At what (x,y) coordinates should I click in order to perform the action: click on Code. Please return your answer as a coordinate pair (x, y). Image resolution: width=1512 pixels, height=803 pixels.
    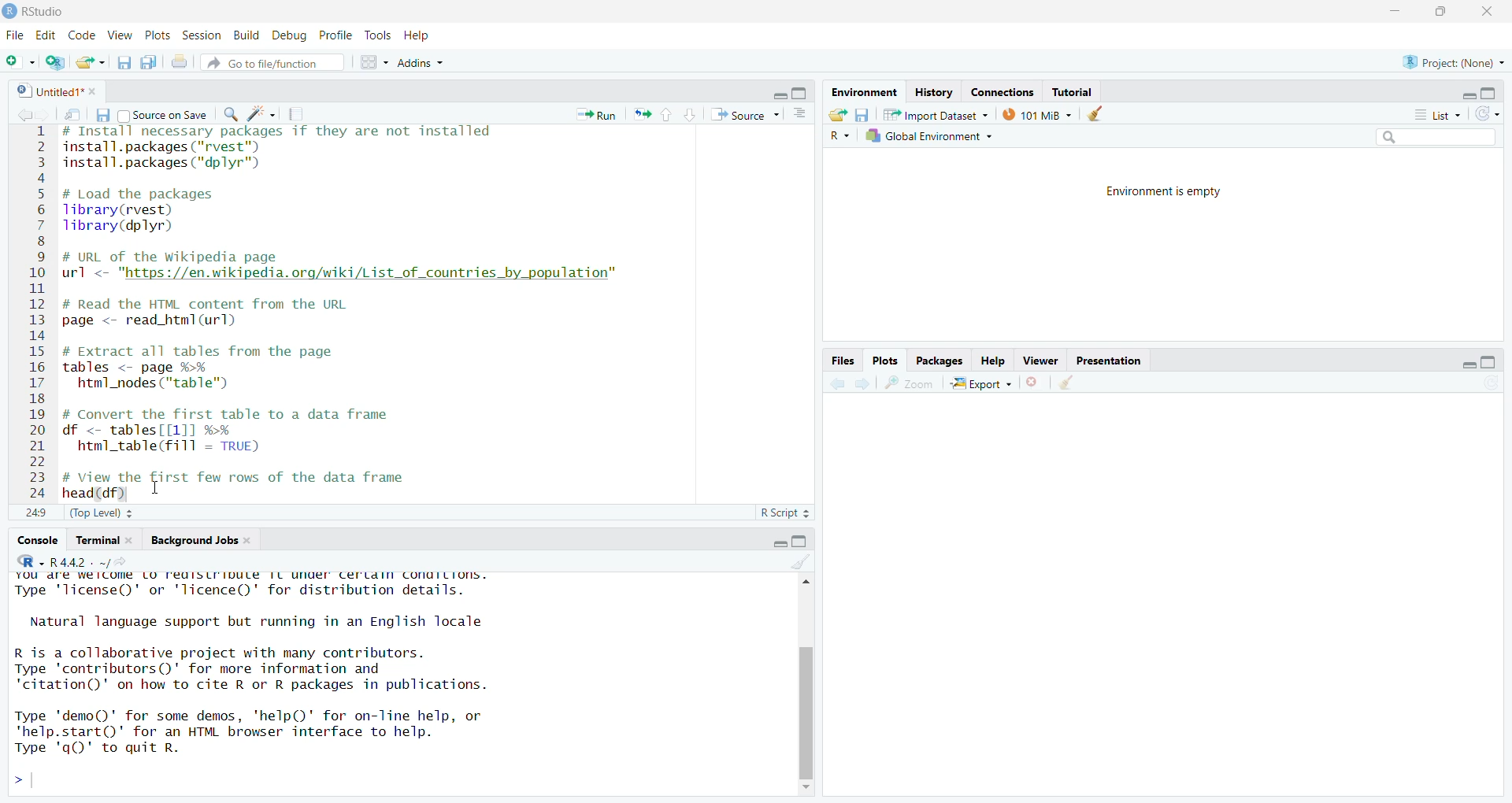
    Looking at the image, I should click on (81, 35).